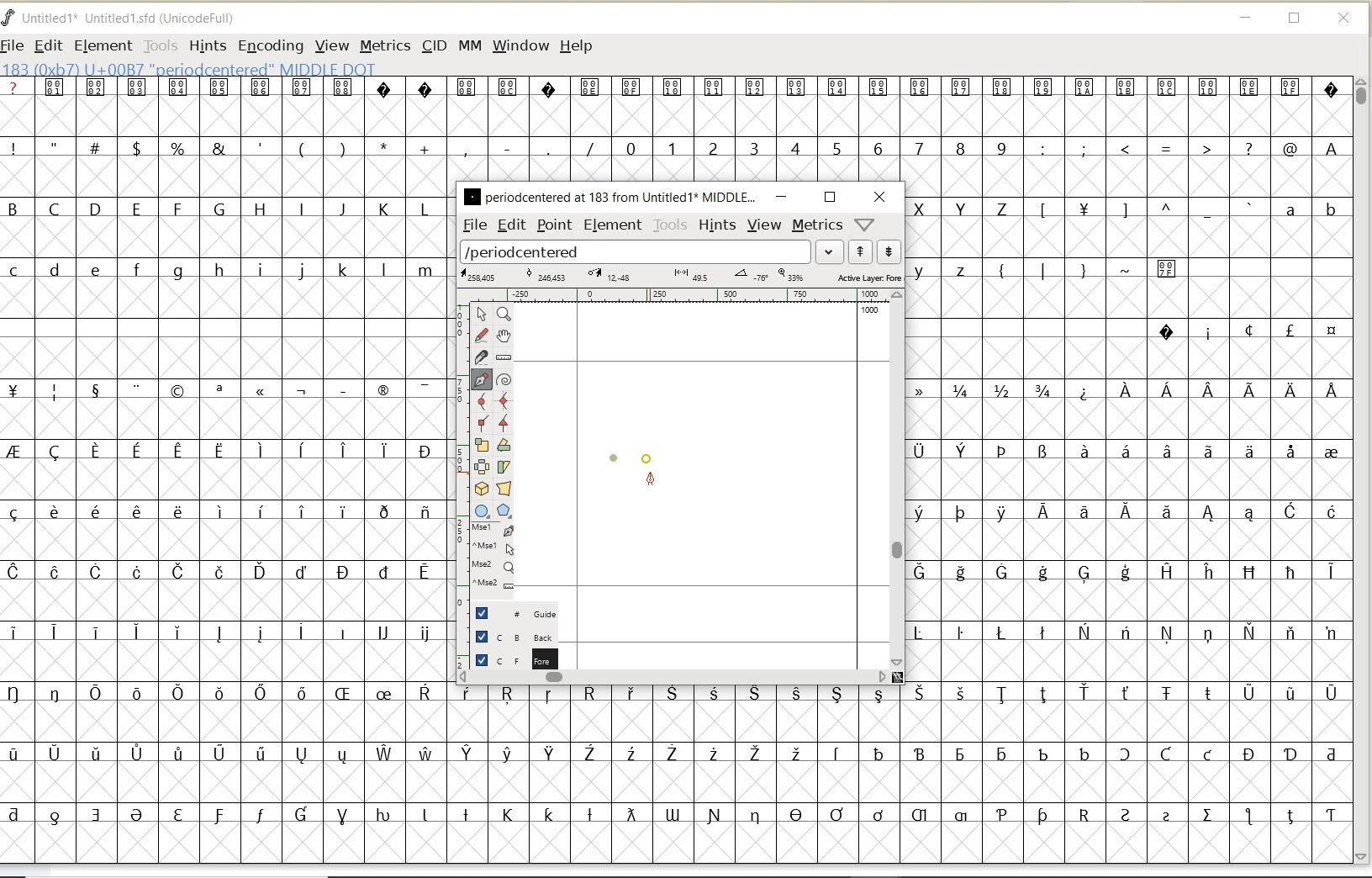 The width and height of the screenshot is (1372, 878). I want to click on RESTORE, so click(1295, 21).